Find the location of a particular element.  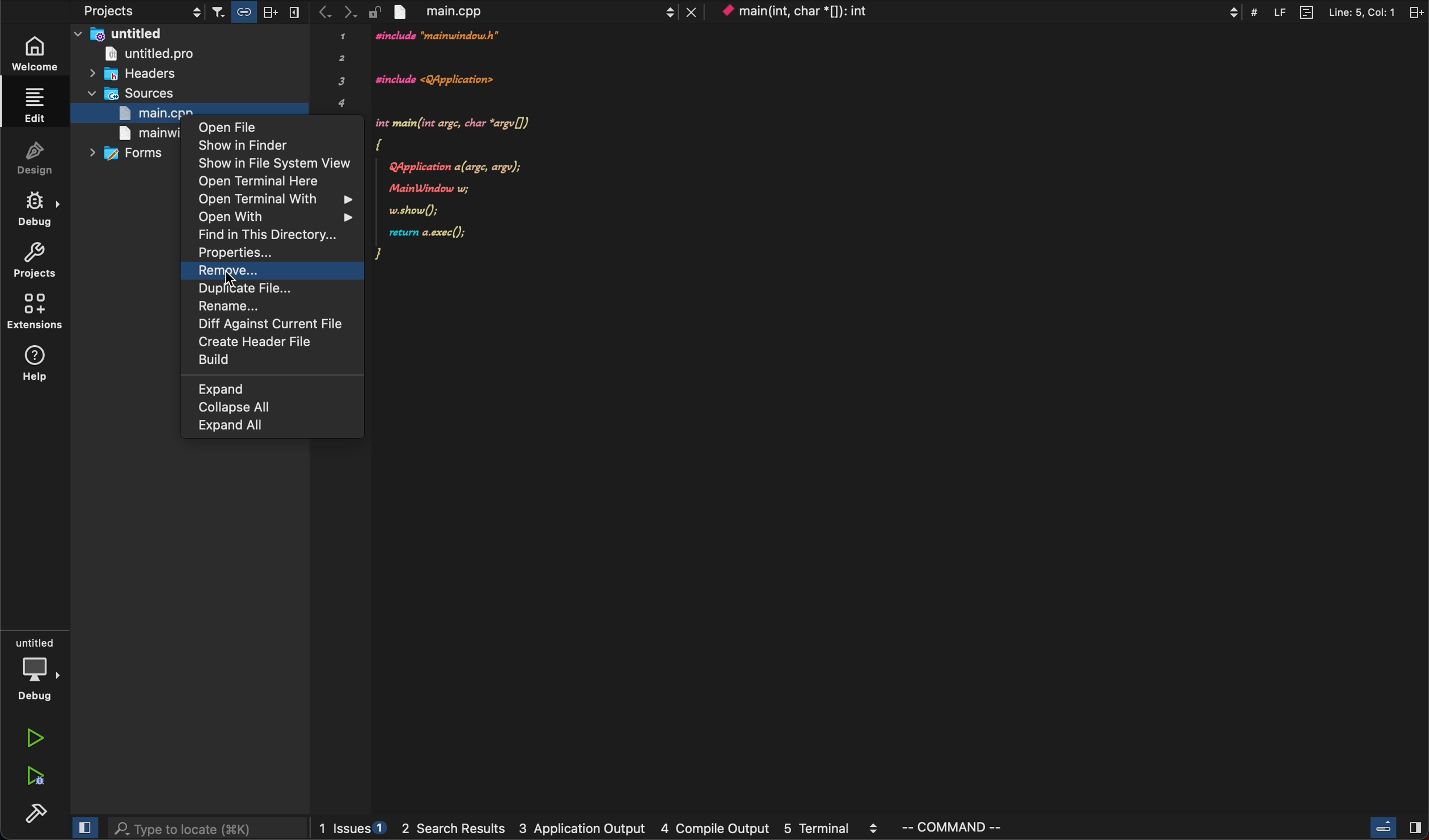

search bar is located at coordinates (206, 830).